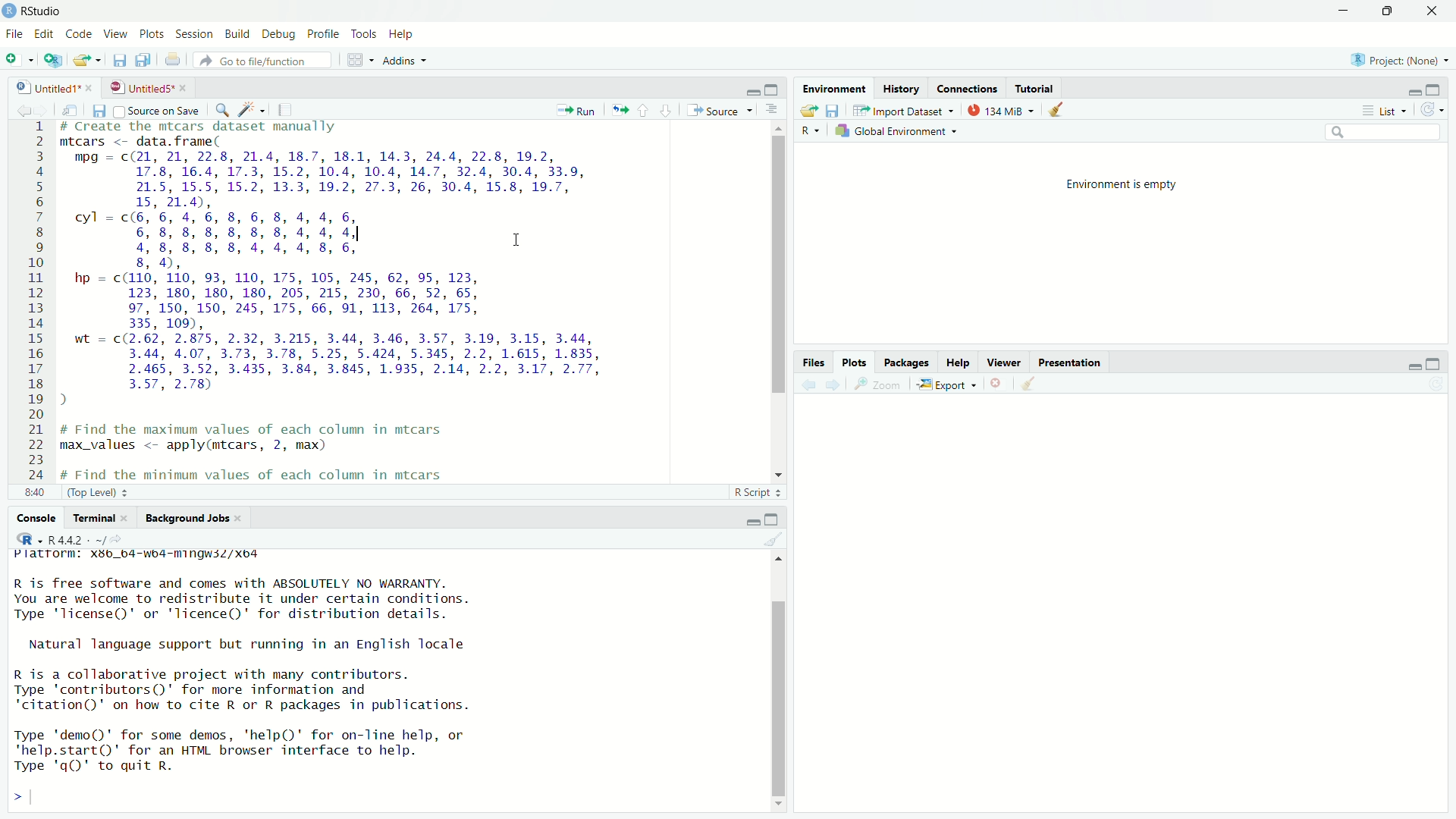 The height and width of the screenshot is (819, 1456). What do you see at coordinates (878, 385) in the screenshot?
I see `zoom` at bounding box center [878, 385].